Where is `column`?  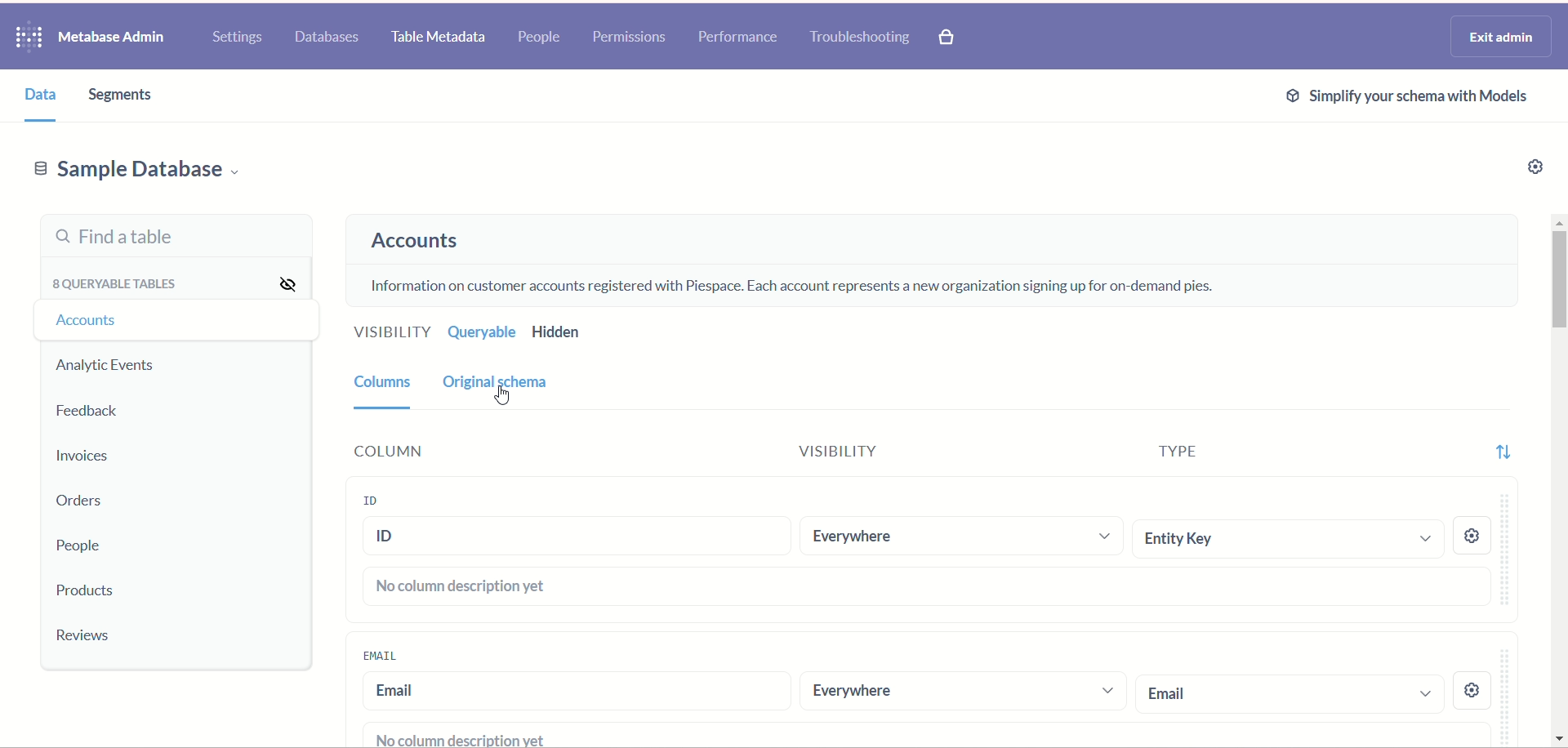
column is located at coordinates (393, 453).